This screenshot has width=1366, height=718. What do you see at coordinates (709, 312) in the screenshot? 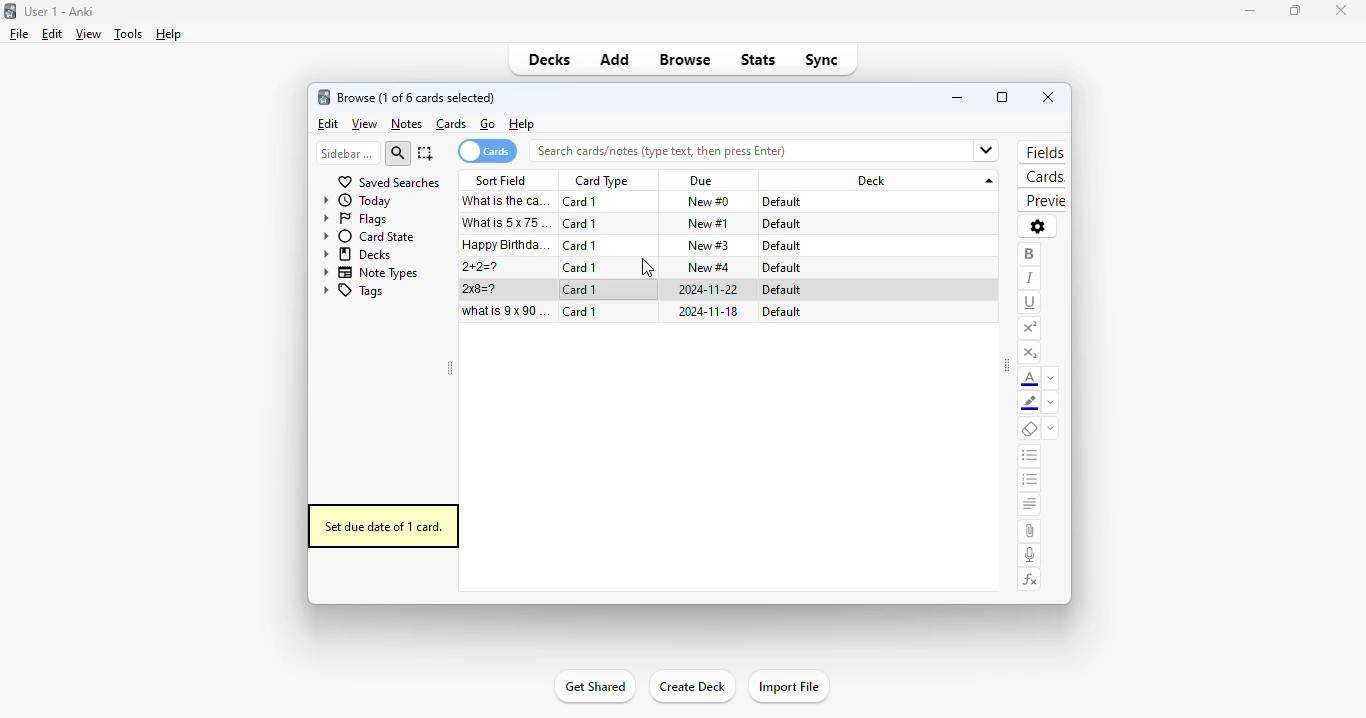
I see `2024-11-18` at bounding box center [709, 312].